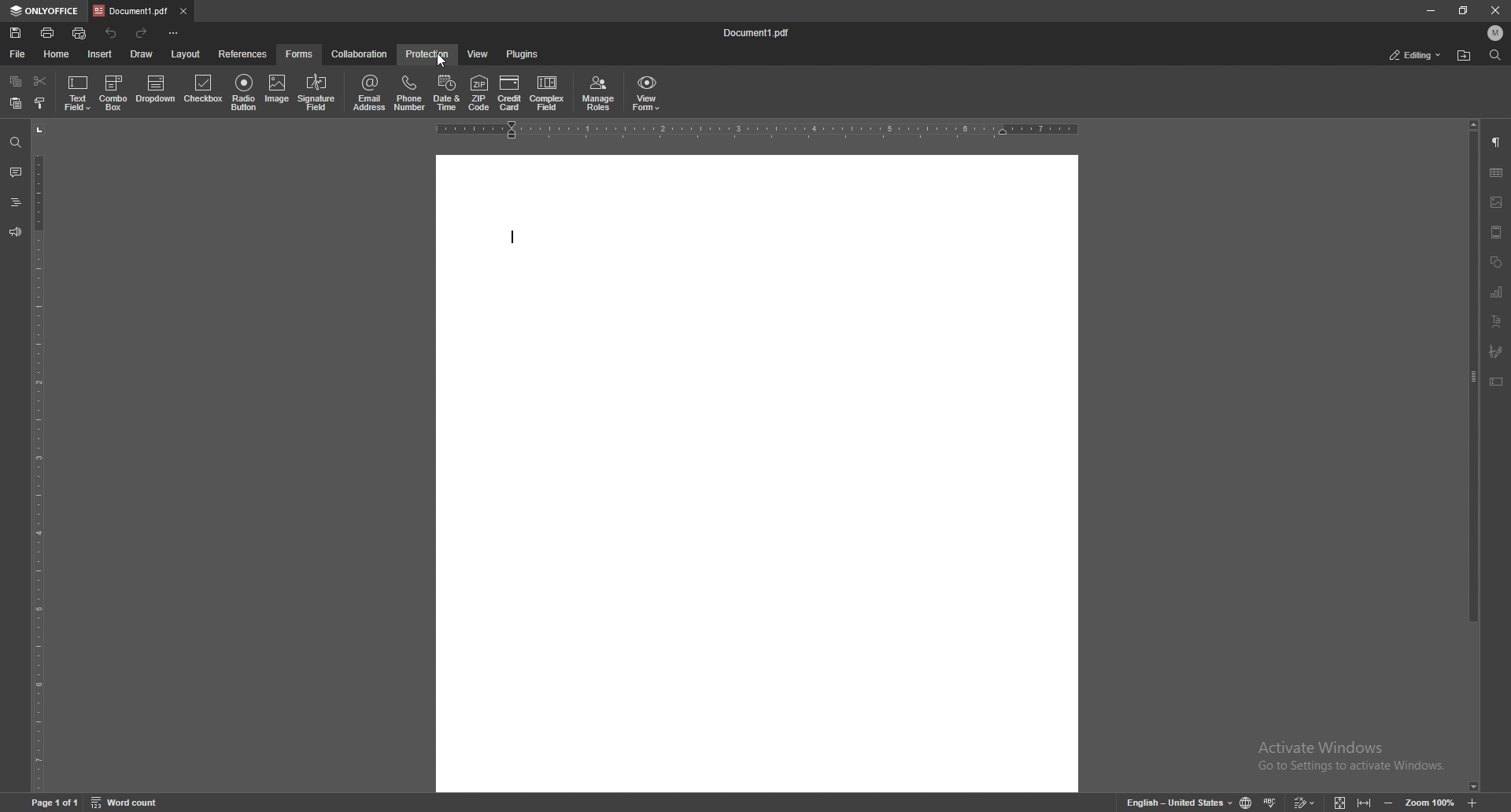 Image resolution: width=1511 pixels, height=812 pixels. What do you see at coordinates (1494, 10) in the screenshot?
I see `close` at bounding box center [1494, 10].